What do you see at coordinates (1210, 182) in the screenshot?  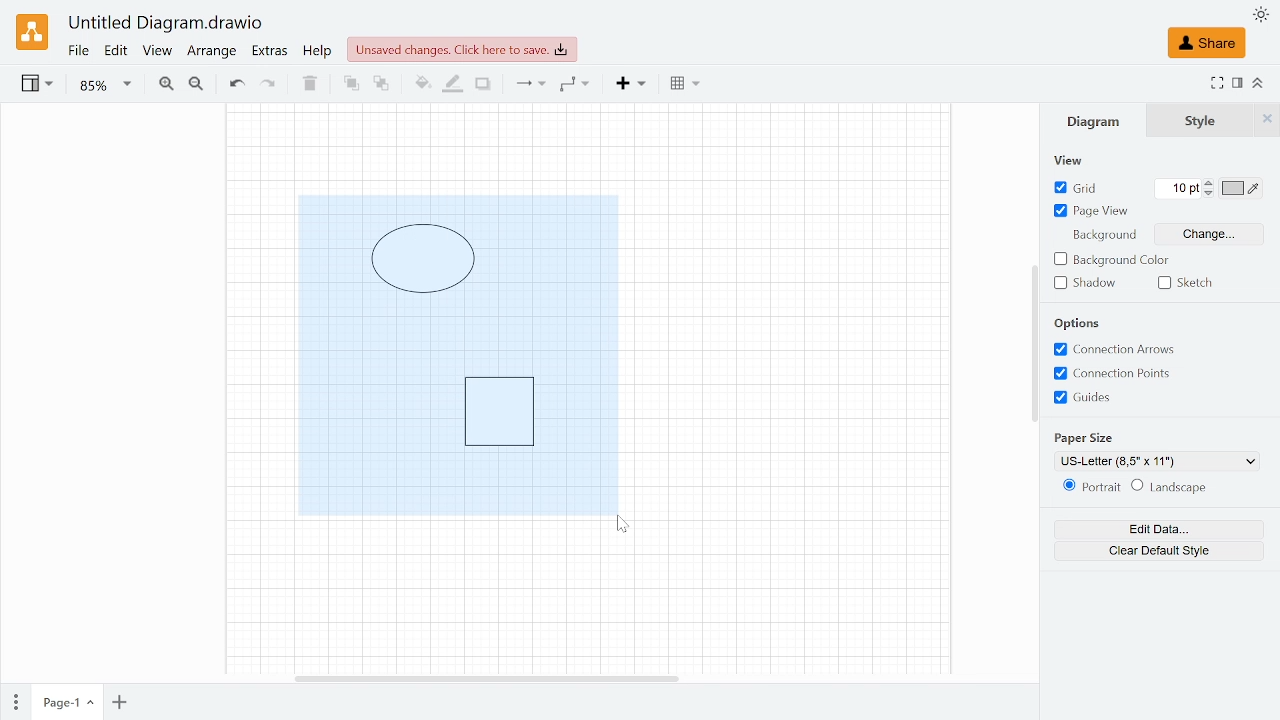 I see `Increase grid unit` at bounding box center [1210, 182].